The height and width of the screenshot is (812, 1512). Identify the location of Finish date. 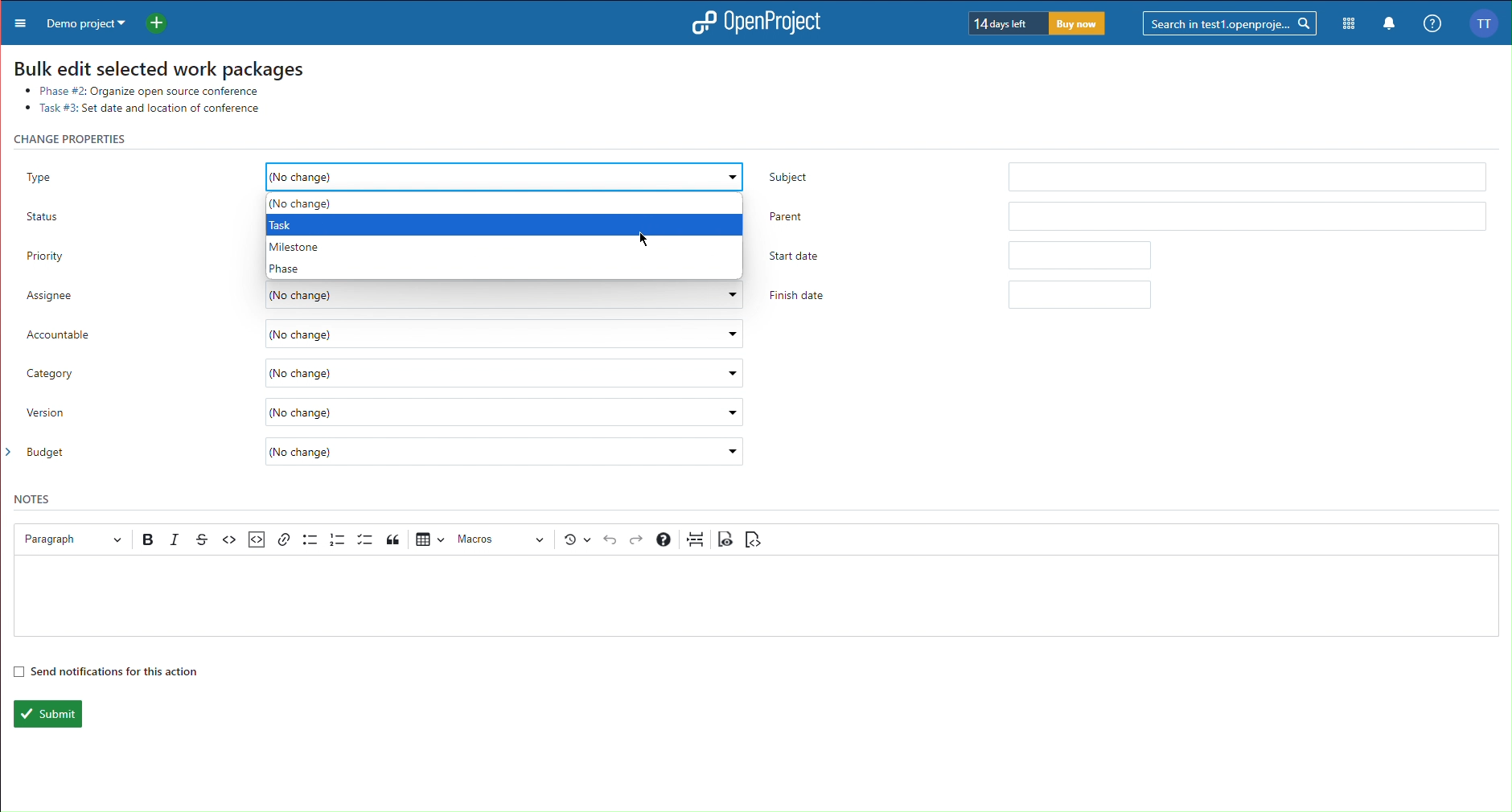
(964, 295).